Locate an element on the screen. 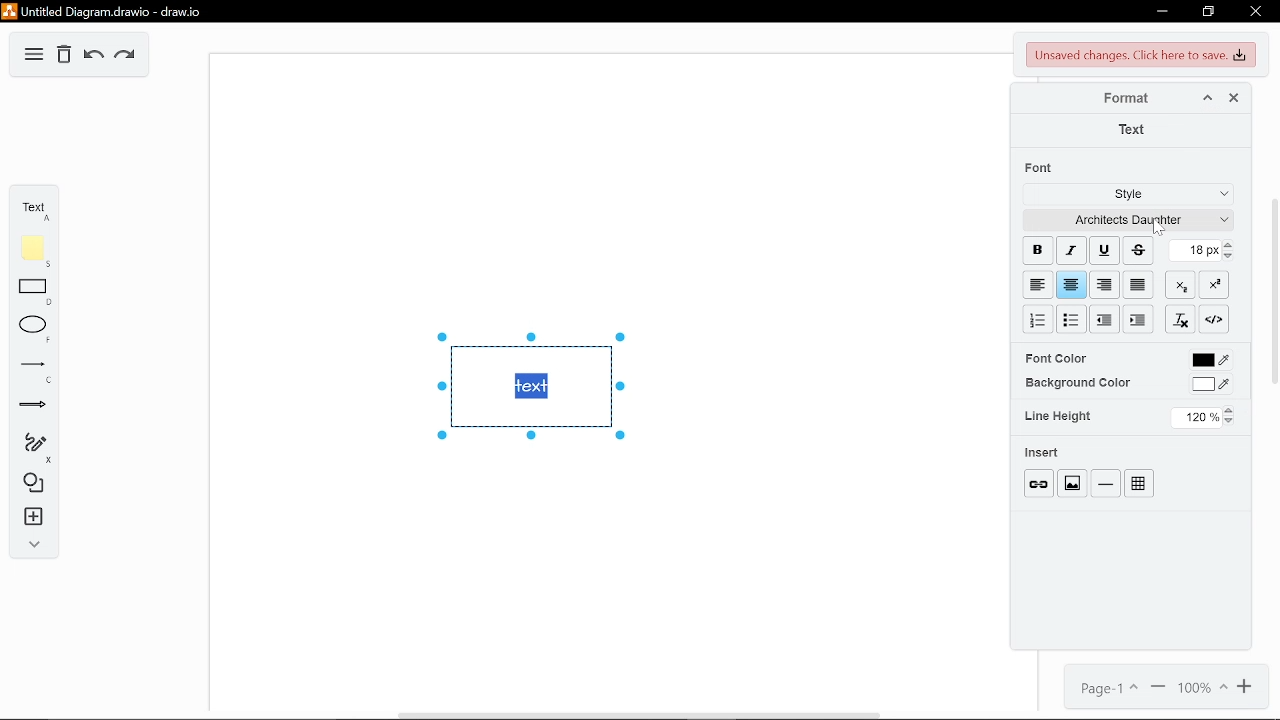 Image resolution: width=1280 pixels, height=720 pixels. background color is located at coordinates (1214, 387).